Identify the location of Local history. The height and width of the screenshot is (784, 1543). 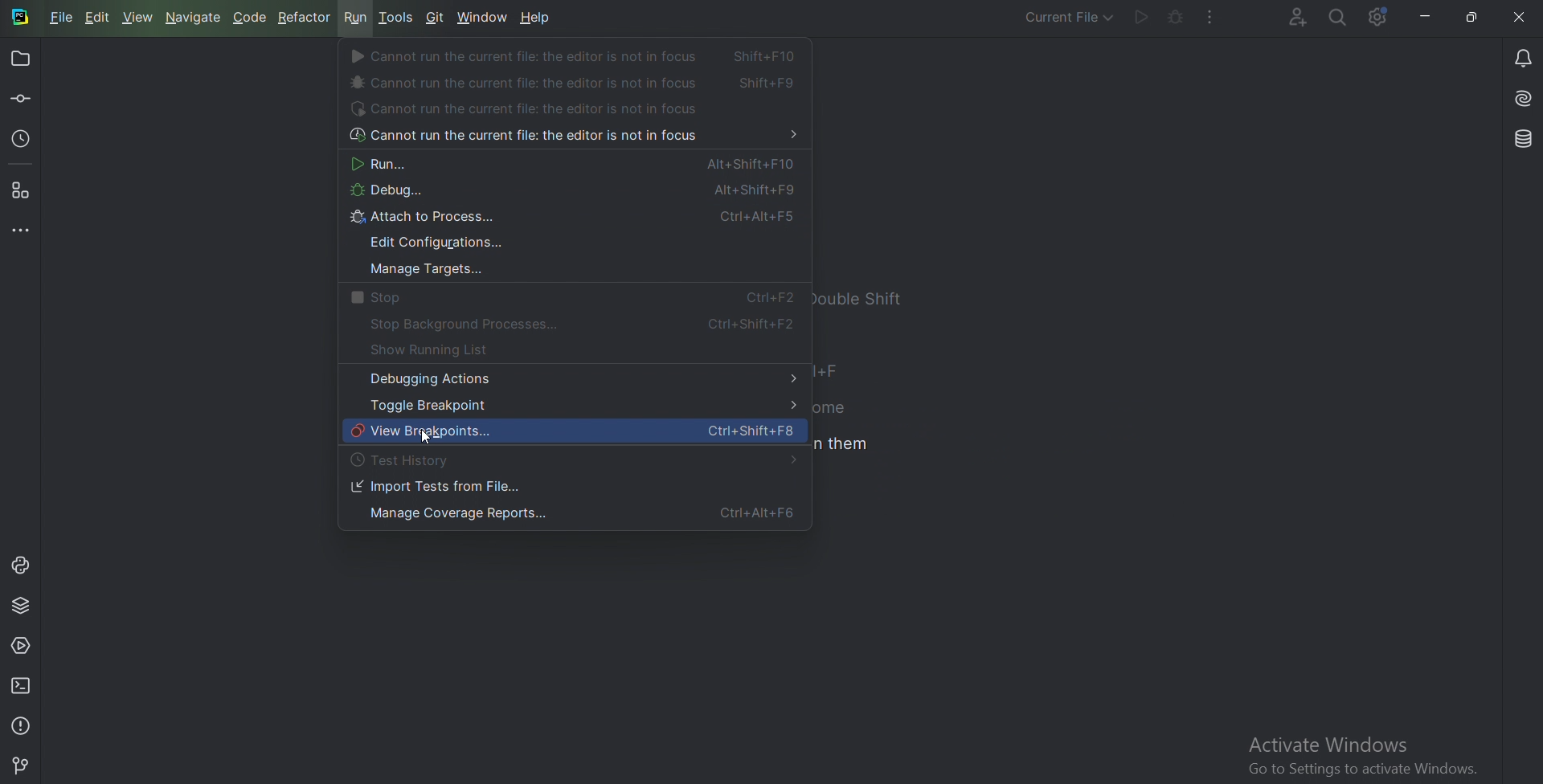
(23, 142).